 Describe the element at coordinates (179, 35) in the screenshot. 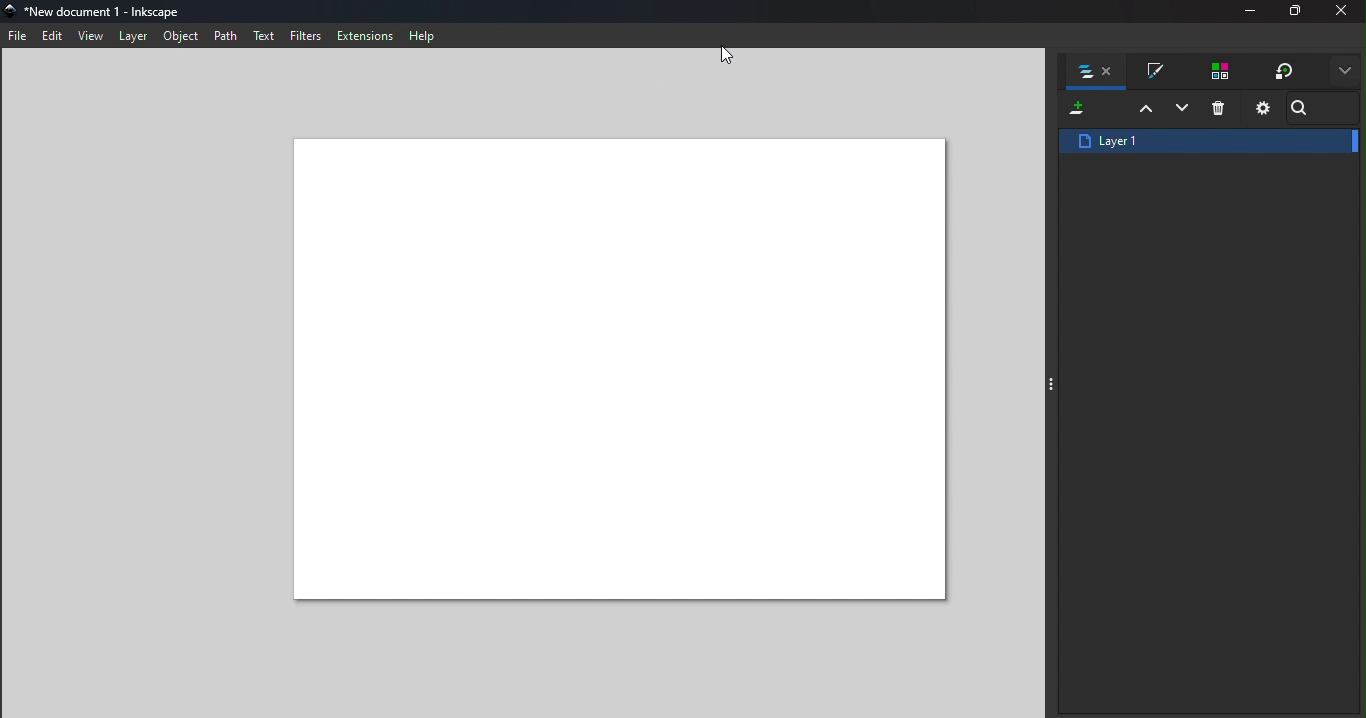

I see `Object` at that location.